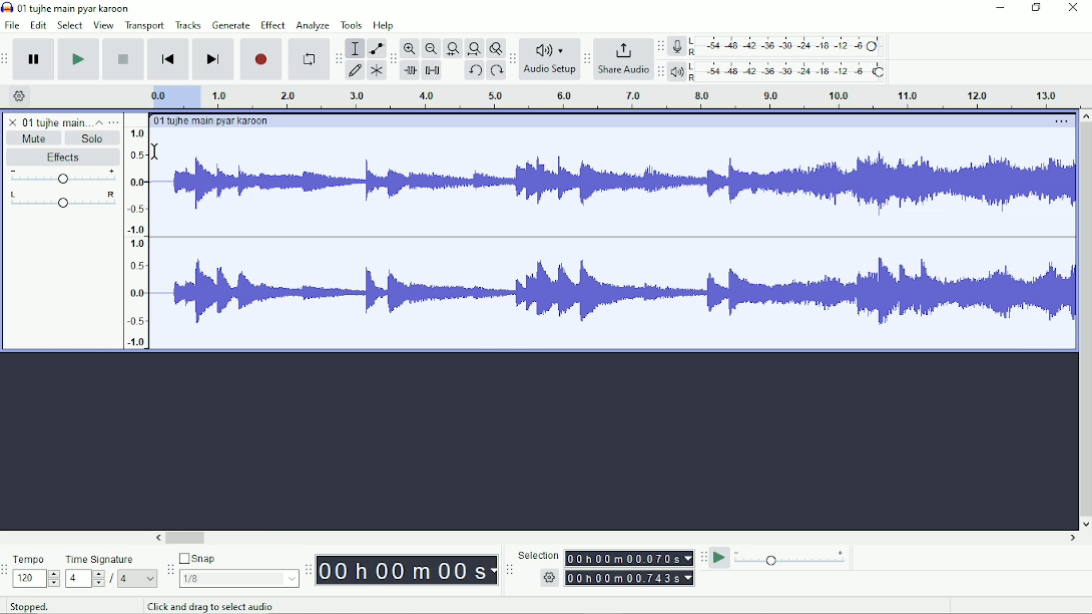 The image size is (1092, 614). I want to click on Audacity time toolbar, so click(307, 570).